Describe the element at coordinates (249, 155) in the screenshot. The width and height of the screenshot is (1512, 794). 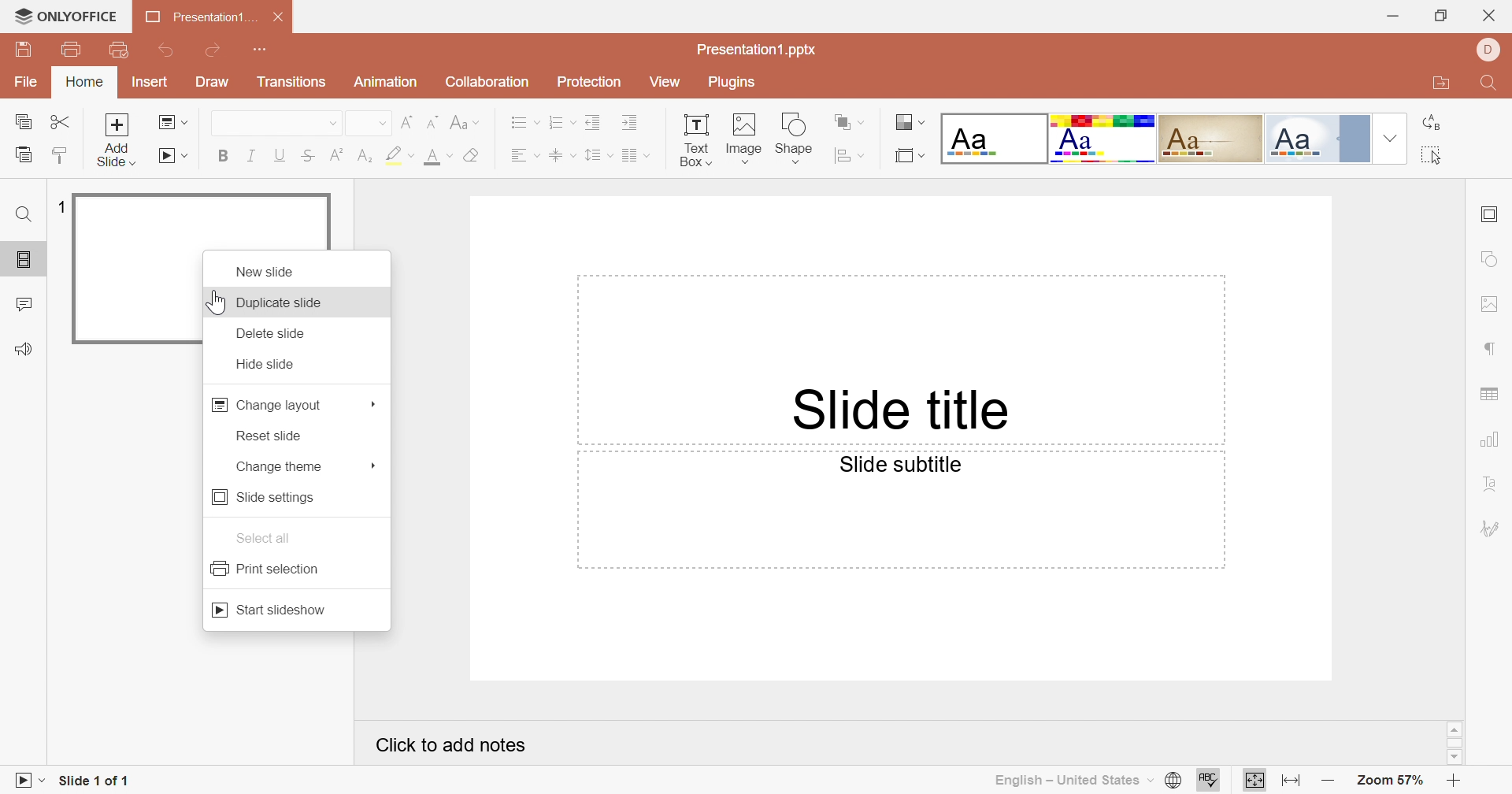
I see `Italic` at that location.